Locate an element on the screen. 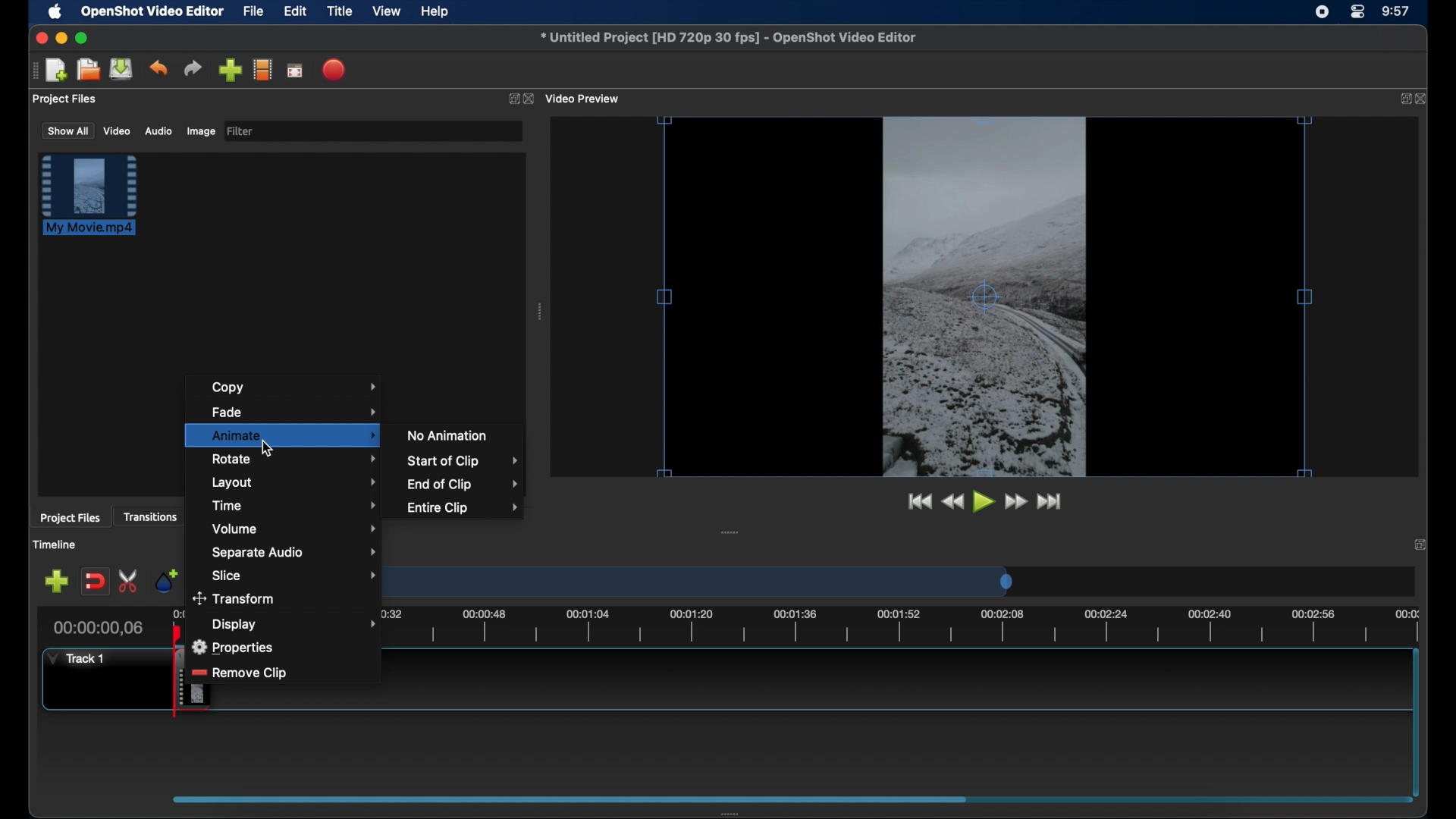 This screenshot has width=1456, height=819. expand is located at coordinates (1423, 544).